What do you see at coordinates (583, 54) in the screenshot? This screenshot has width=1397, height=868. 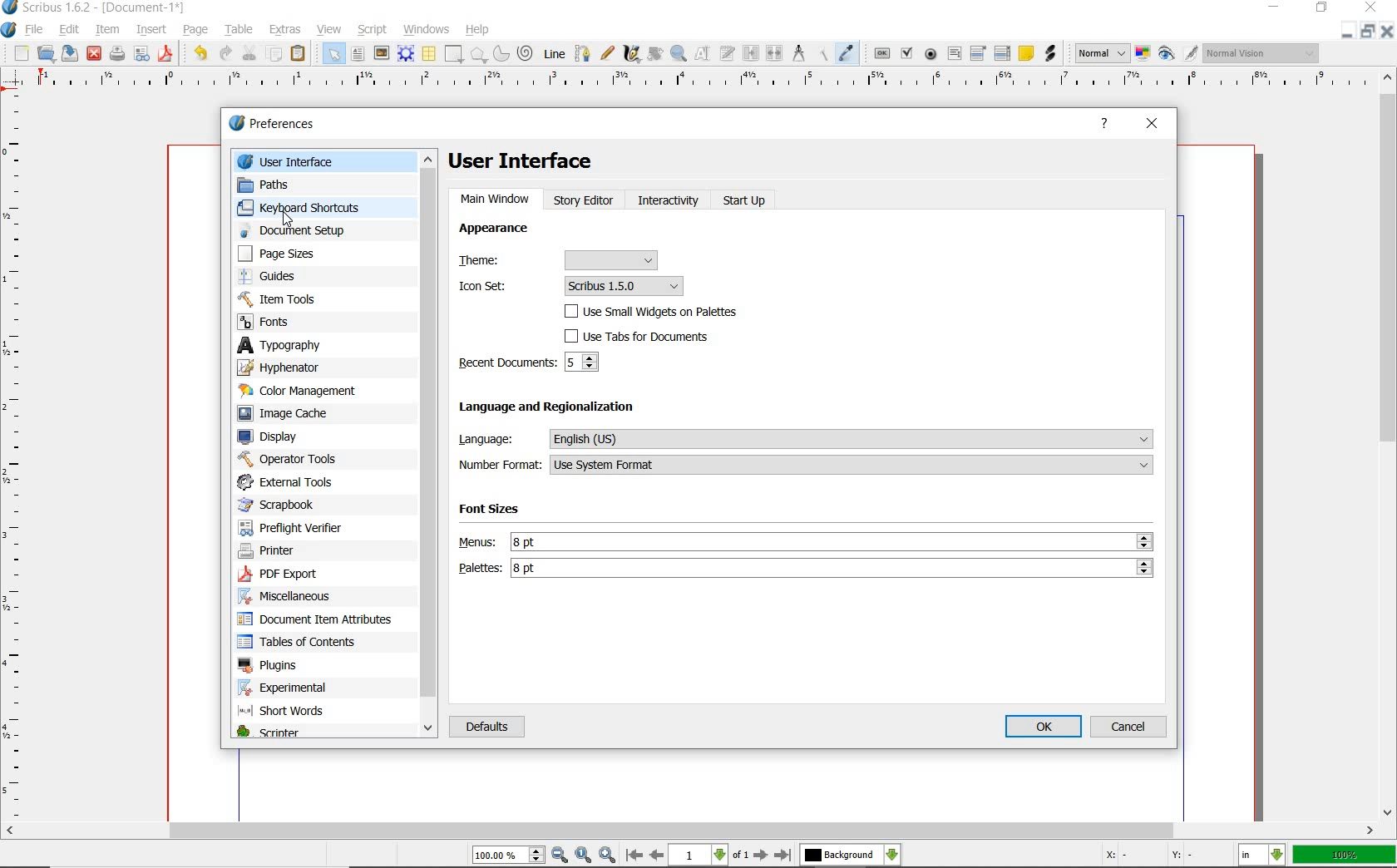 I see `Bezier curve` at bounding box center [583, 54].